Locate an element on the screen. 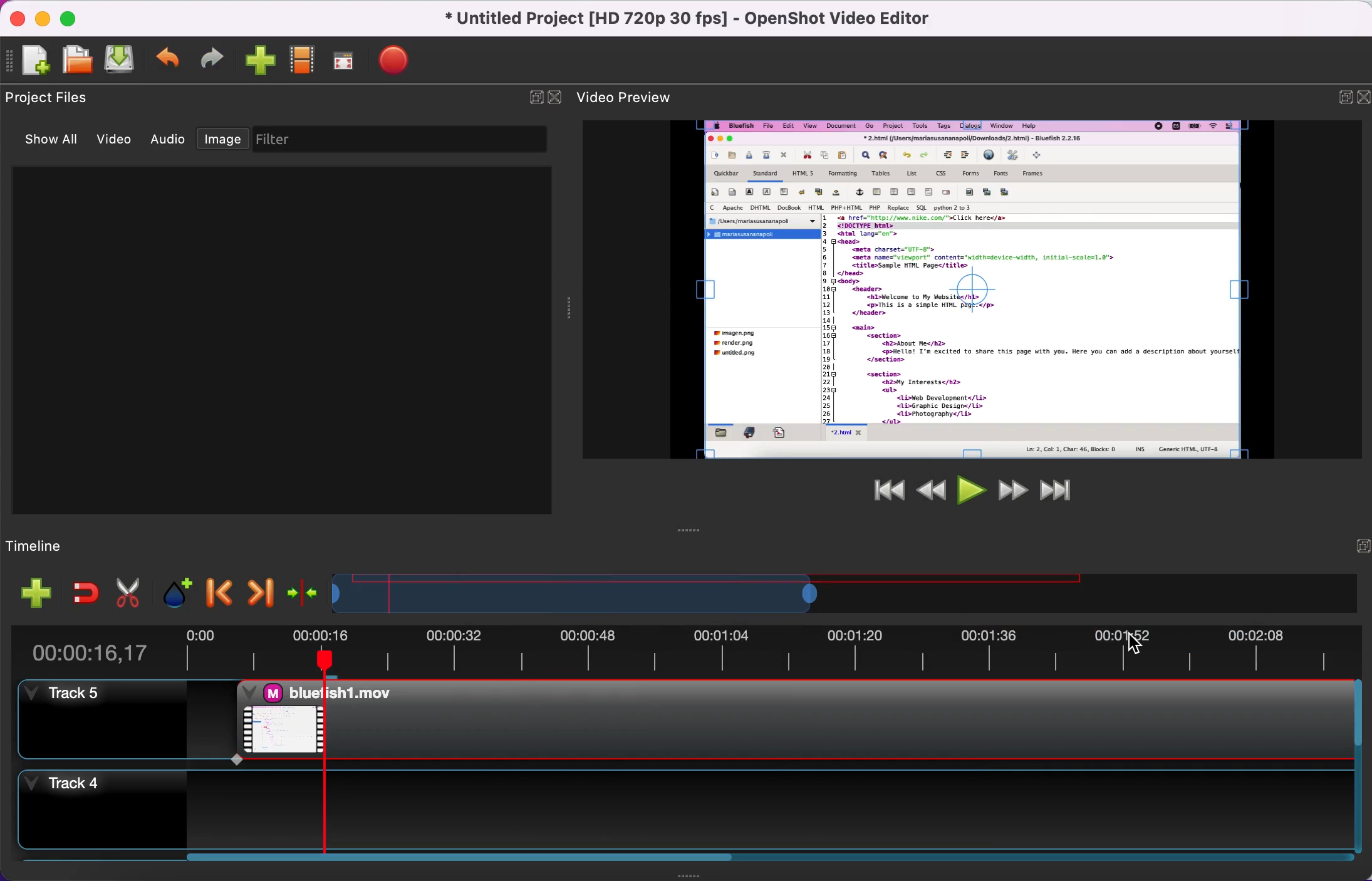 This screenshot has height=881, width=1372. previous marker is located at coordinates (217, 588).